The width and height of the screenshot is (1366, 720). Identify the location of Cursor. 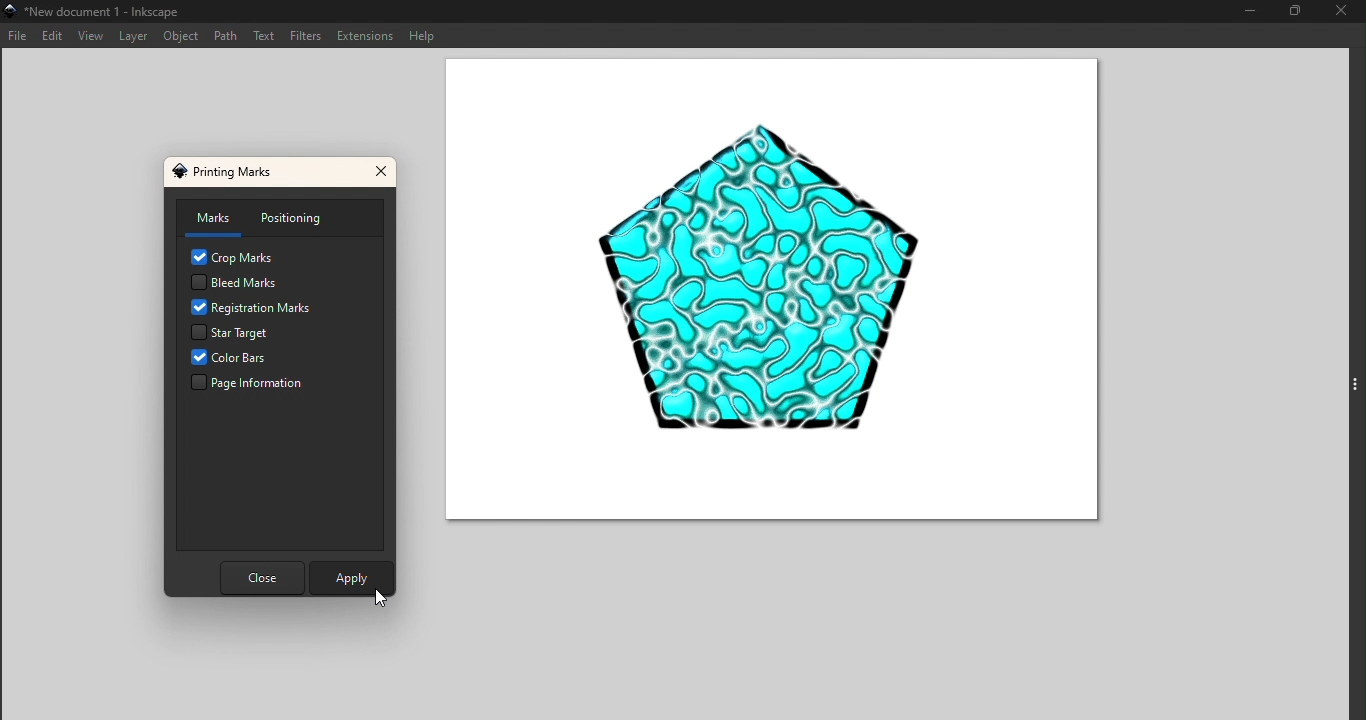
(385, 598).